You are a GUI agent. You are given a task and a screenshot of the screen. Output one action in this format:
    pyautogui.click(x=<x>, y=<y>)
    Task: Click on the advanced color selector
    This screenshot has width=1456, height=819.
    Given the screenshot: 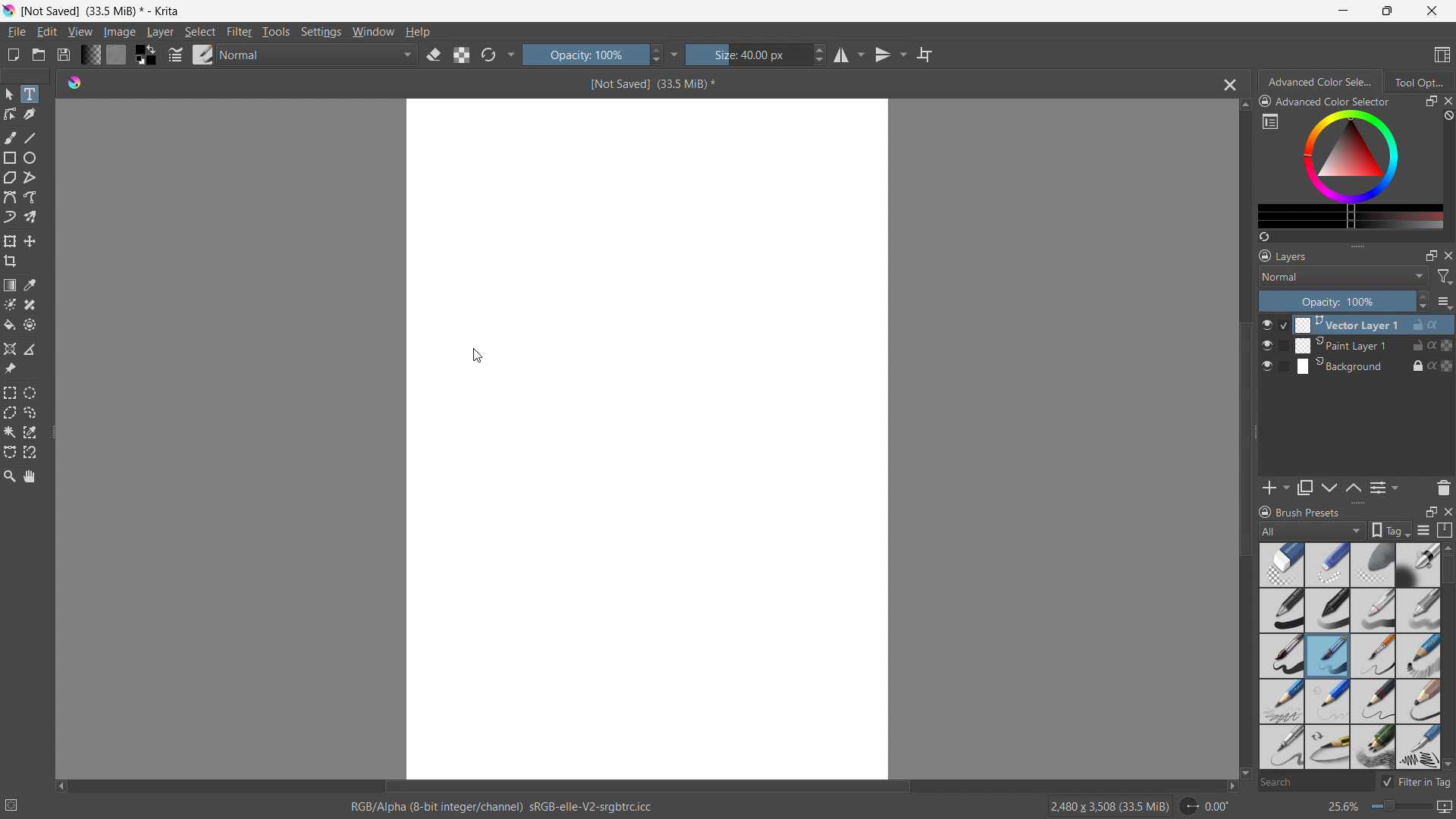 What is the action you would take?
    pyautogui.click(x=1325, y=101)
    